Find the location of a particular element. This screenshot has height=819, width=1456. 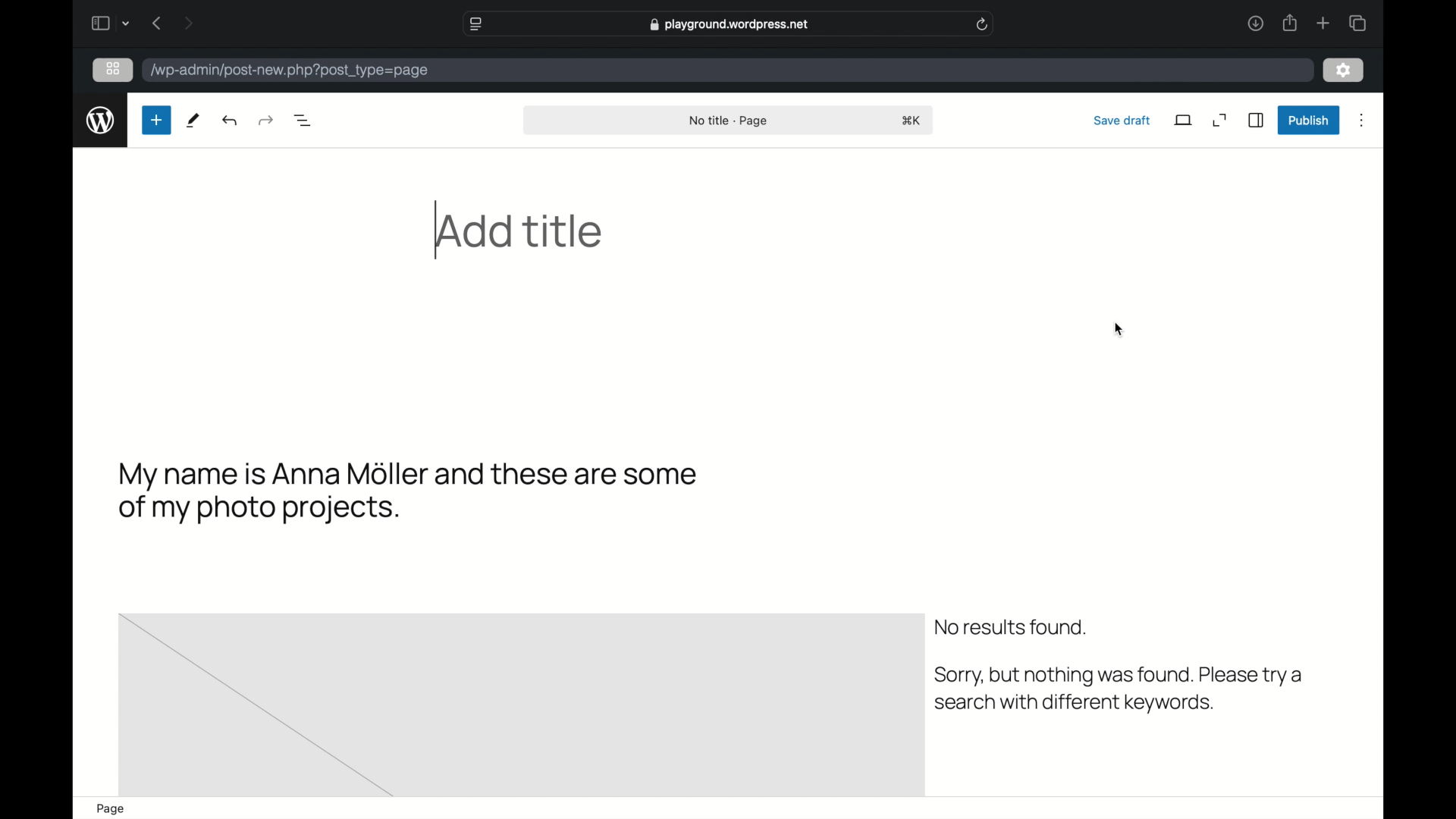

template content is located at coordinates (1119, 689).